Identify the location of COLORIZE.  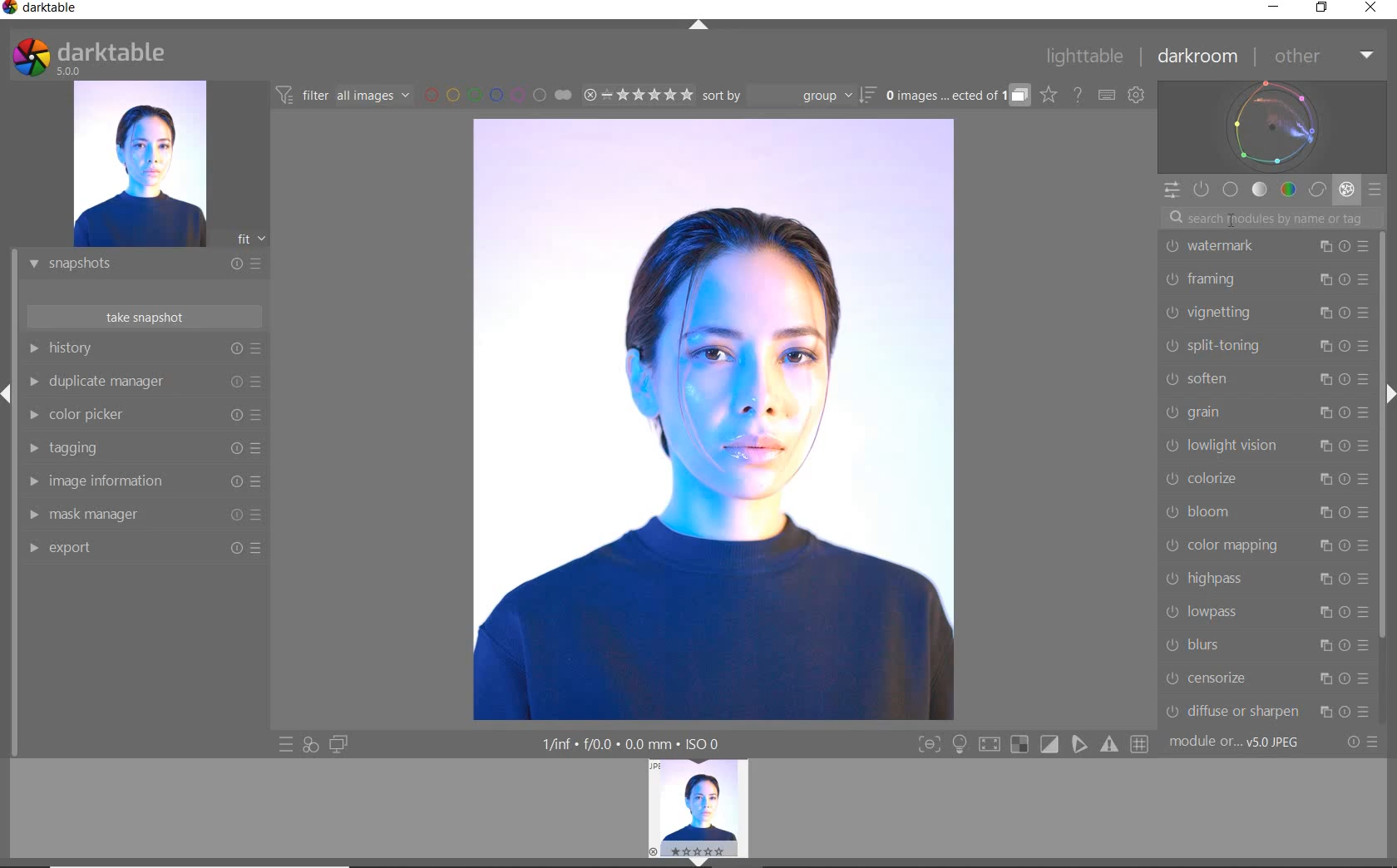
(1266, 479).